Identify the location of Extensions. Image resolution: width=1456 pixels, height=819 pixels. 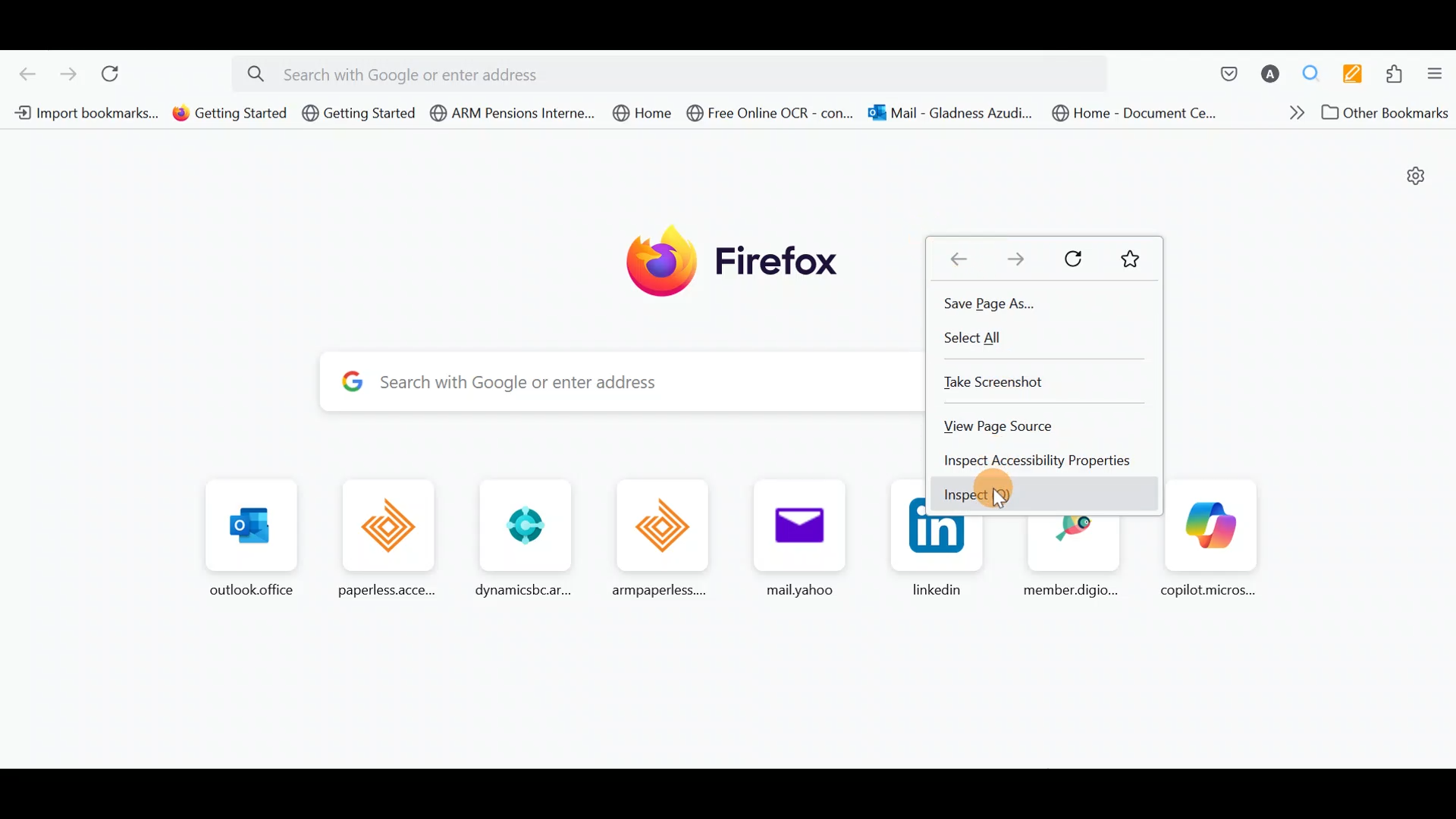
(1399, 76).